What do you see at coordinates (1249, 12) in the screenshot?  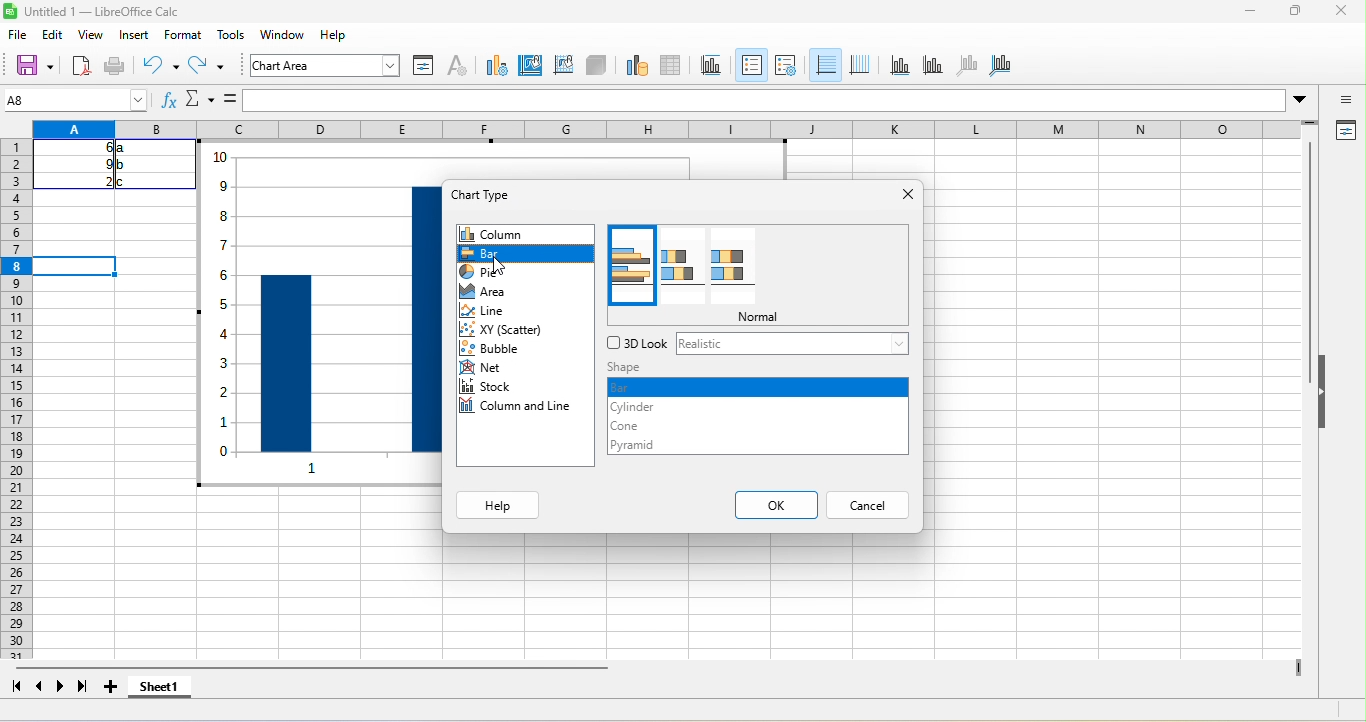 I see `minimize` at bounding box center [1249, 12].